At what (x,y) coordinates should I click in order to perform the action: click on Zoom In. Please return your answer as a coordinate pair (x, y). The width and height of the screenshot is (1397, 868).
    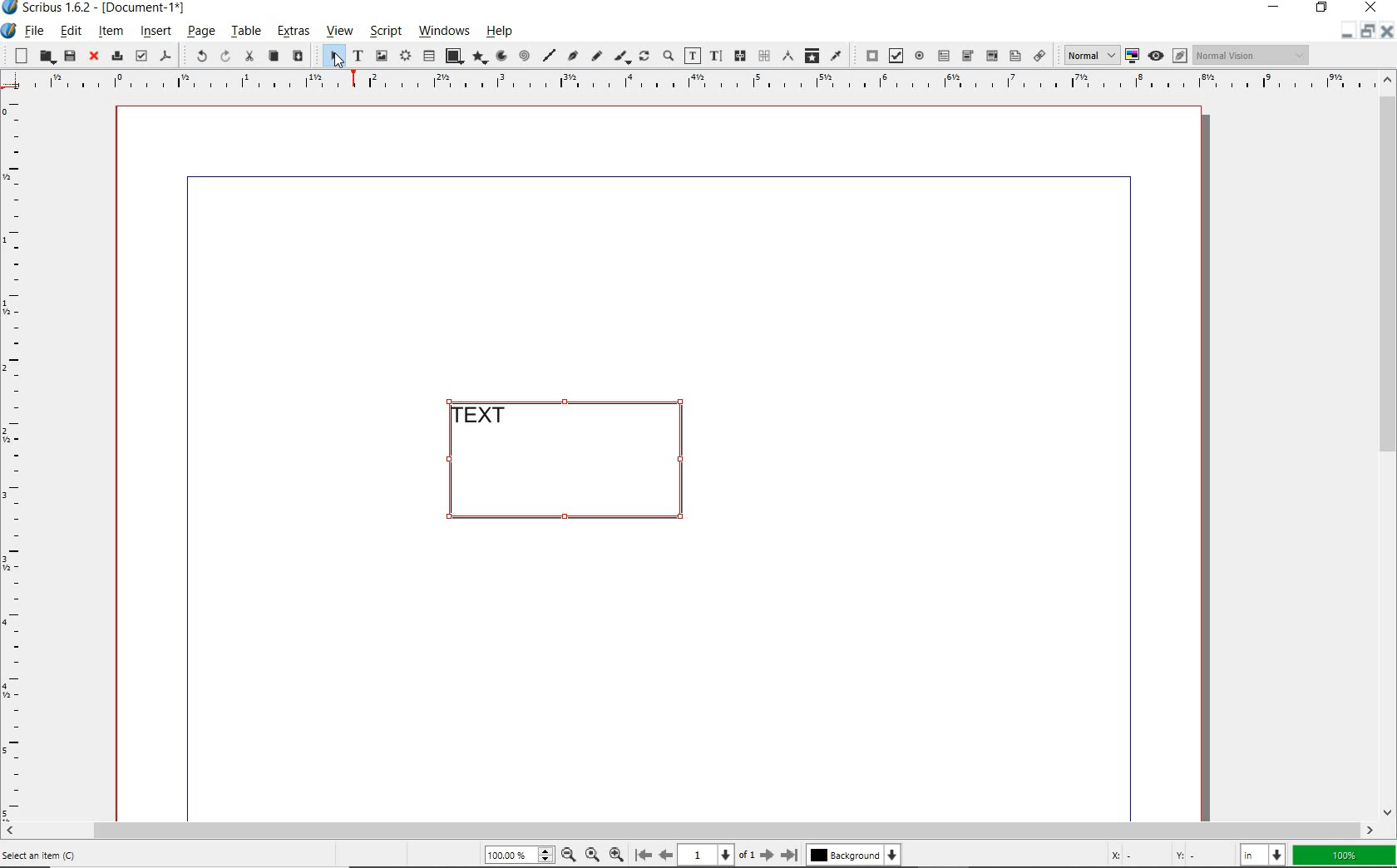
    Looking at the image, I should click on (616, 856).